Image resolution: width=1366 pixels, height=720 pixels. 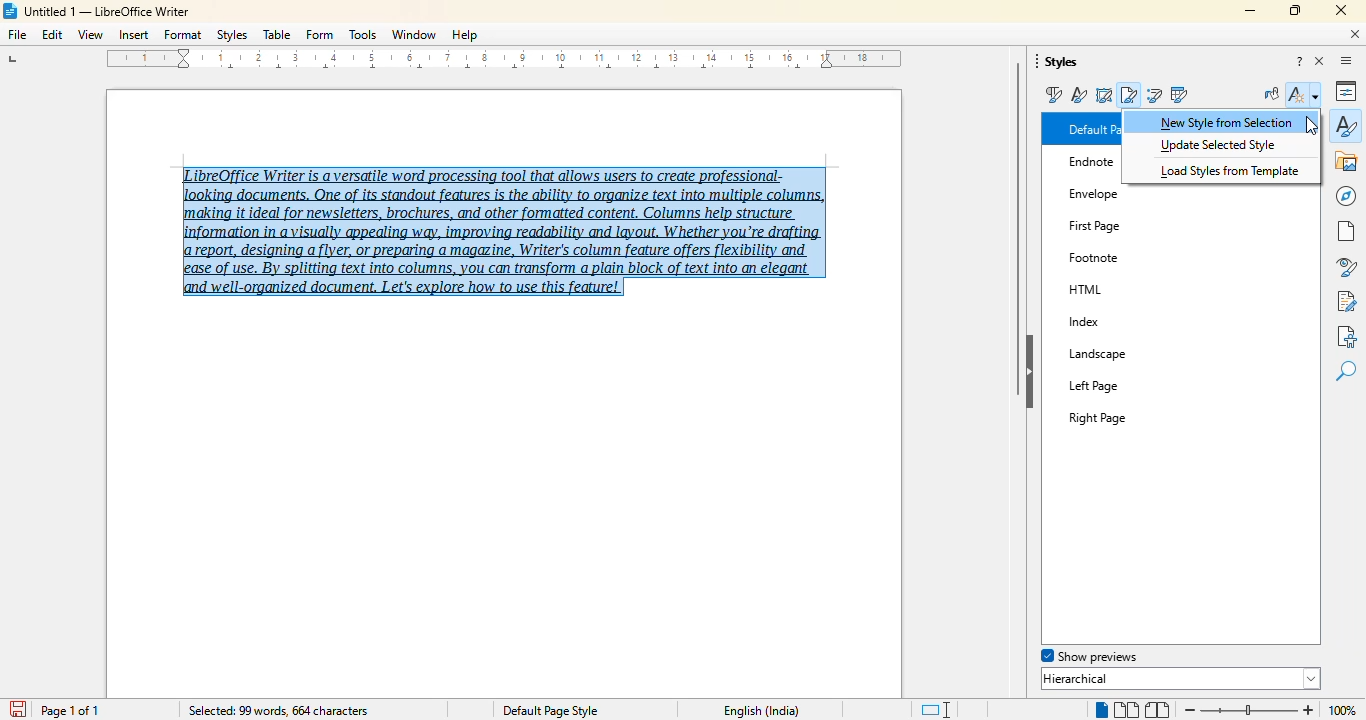 I want to click on frame styles, so click(x=1104, y=95).